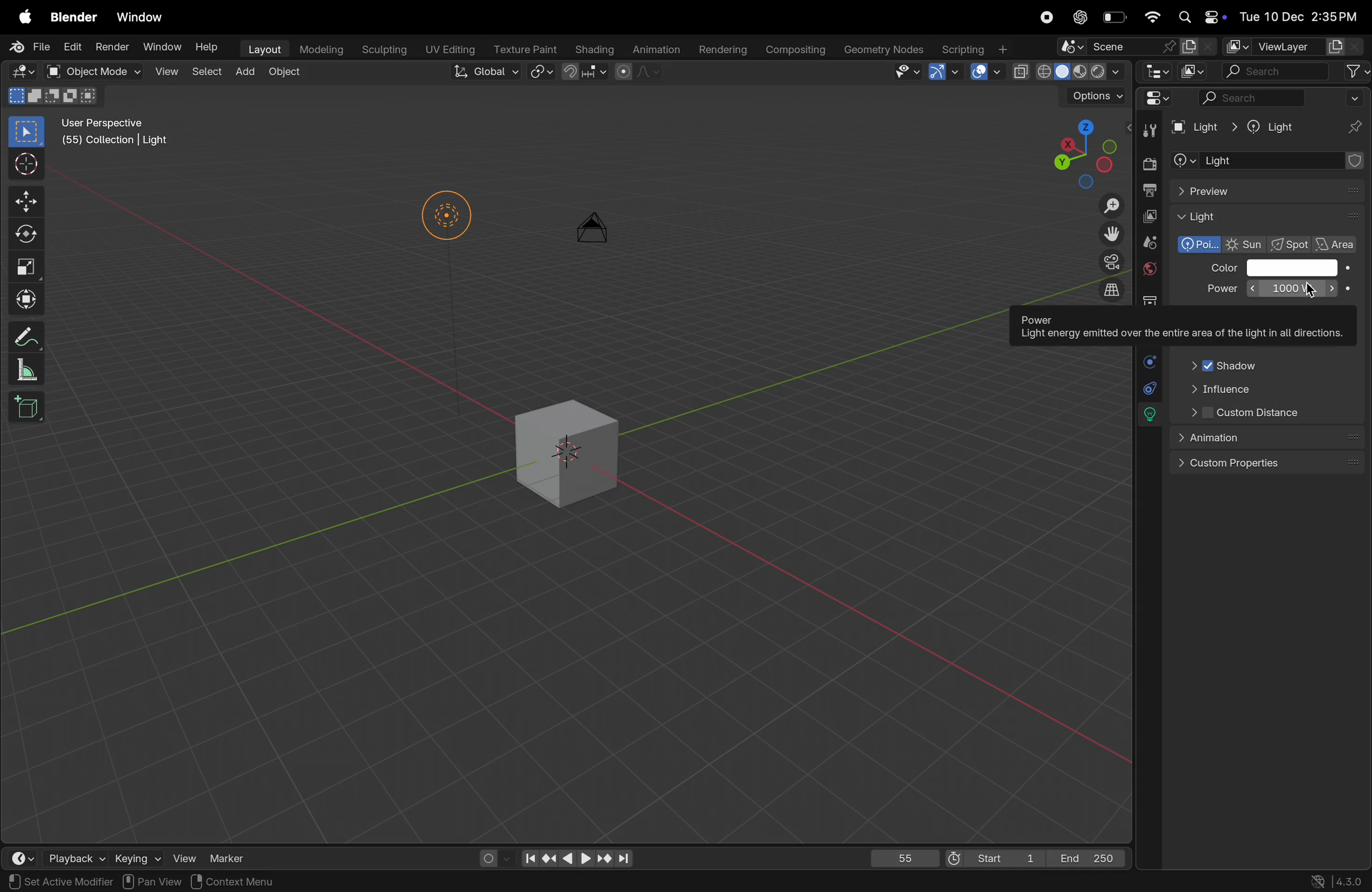 The width and height of the screenshot is (1372, 892). What do you see at coordinates (1185, 327) in the screenshot?
I see `Power
Light energy emitted over the entire area of the light in all directions.` at bounding box center [1185, 327].